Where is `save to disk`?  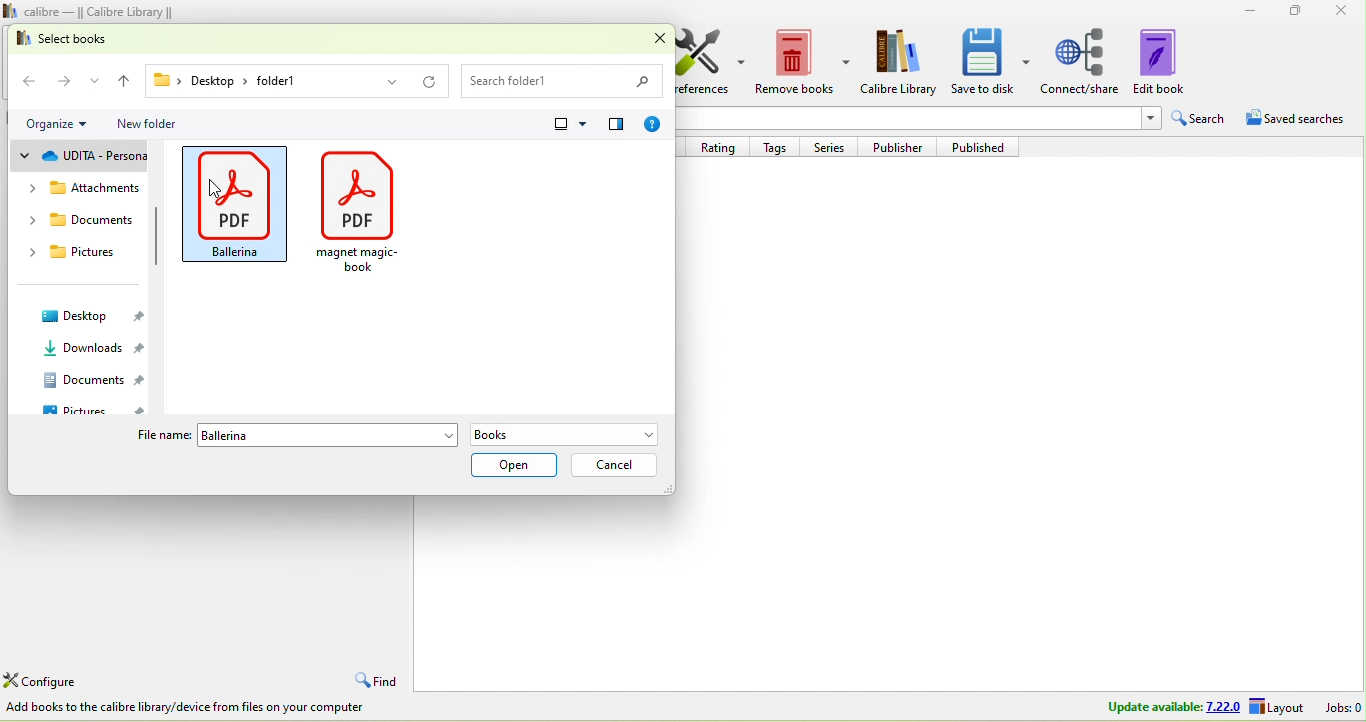
save to disk is located at coordinates (992, 63).